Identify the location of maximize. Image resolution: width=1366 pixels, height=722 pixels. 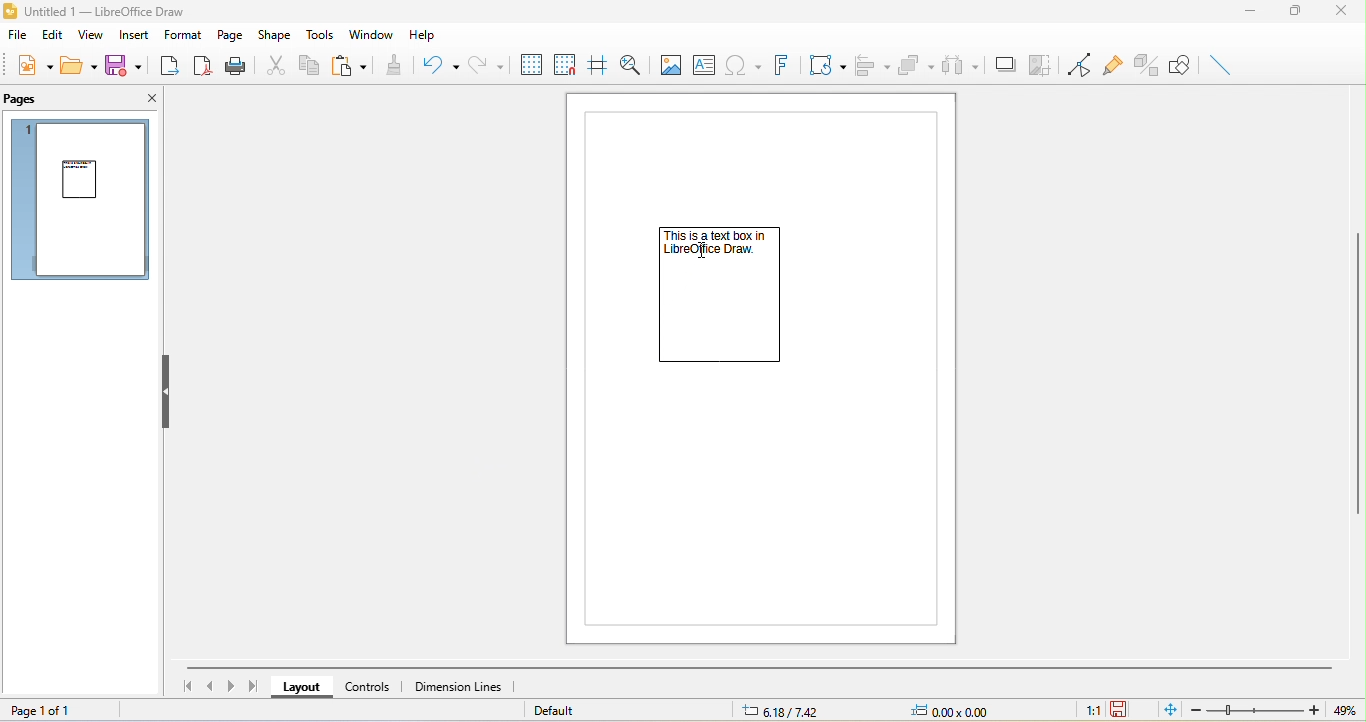
(1298, 12).